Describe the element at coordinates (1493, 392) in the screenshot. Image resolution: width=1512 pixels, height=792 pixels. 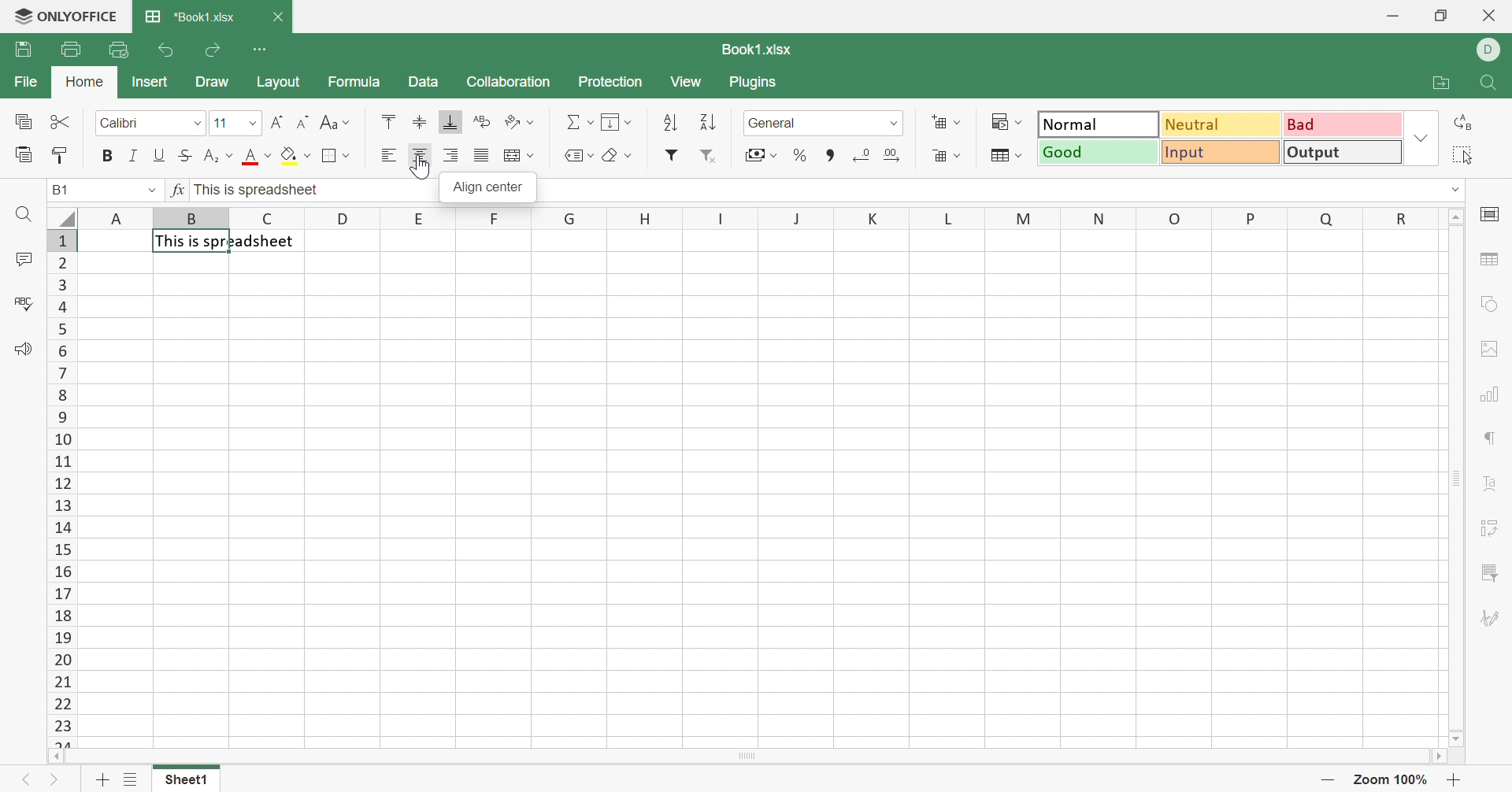
I see `chart settings` at that location.